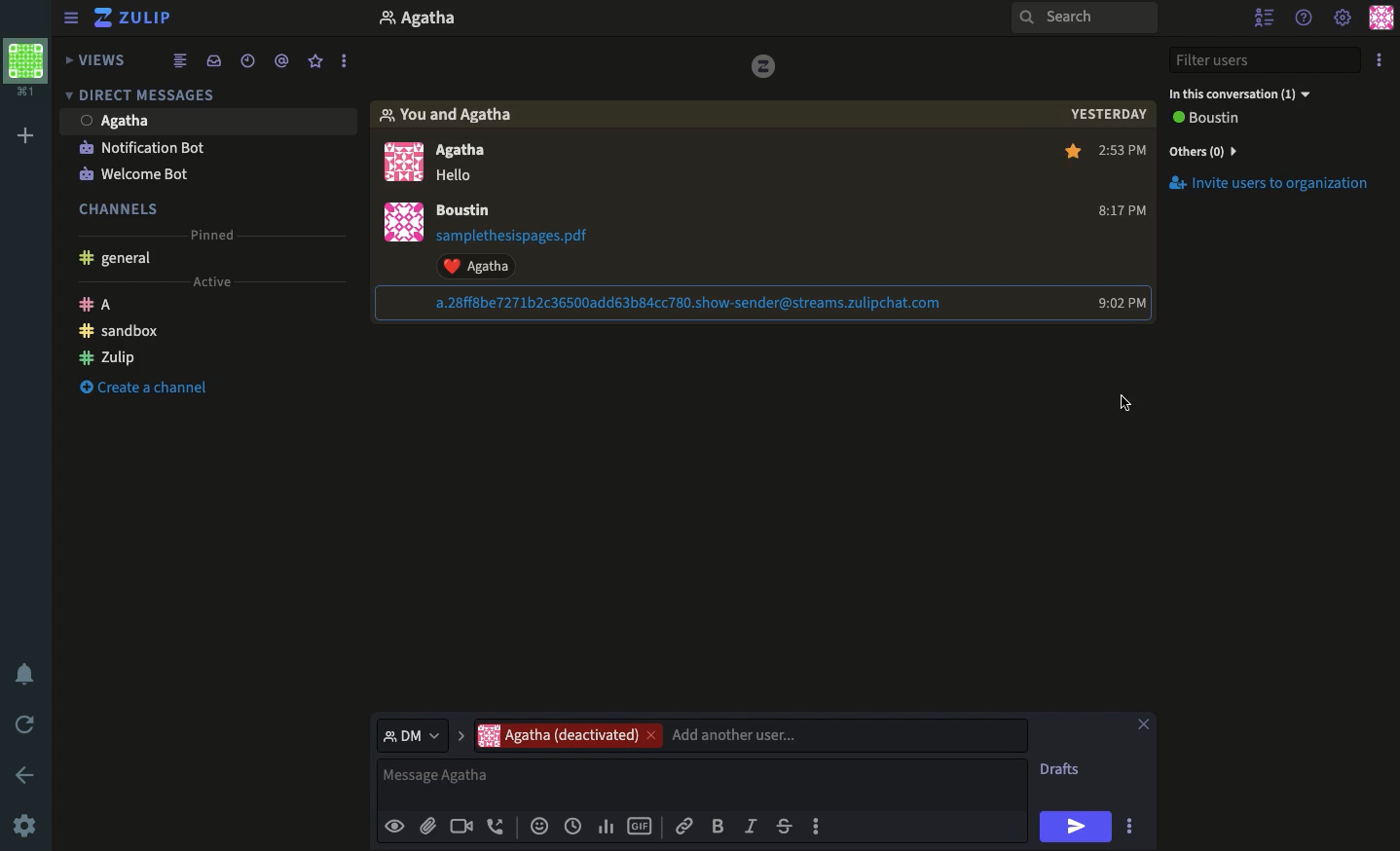  I want to click on File attachment, so click(428, 824).